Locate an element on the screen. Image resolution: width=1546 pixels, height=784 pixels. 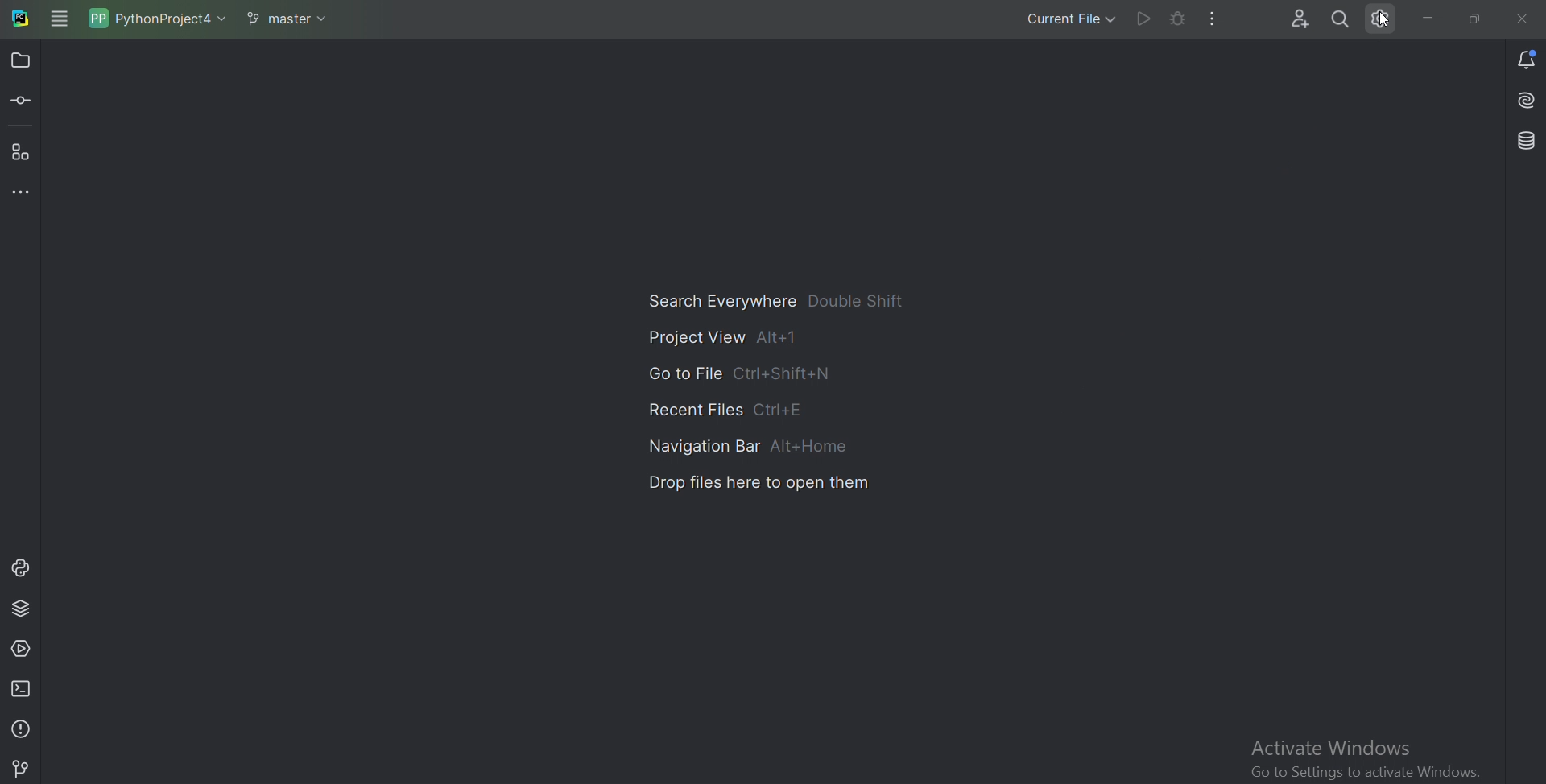
More tool windows is located at coordinates (21, 192).